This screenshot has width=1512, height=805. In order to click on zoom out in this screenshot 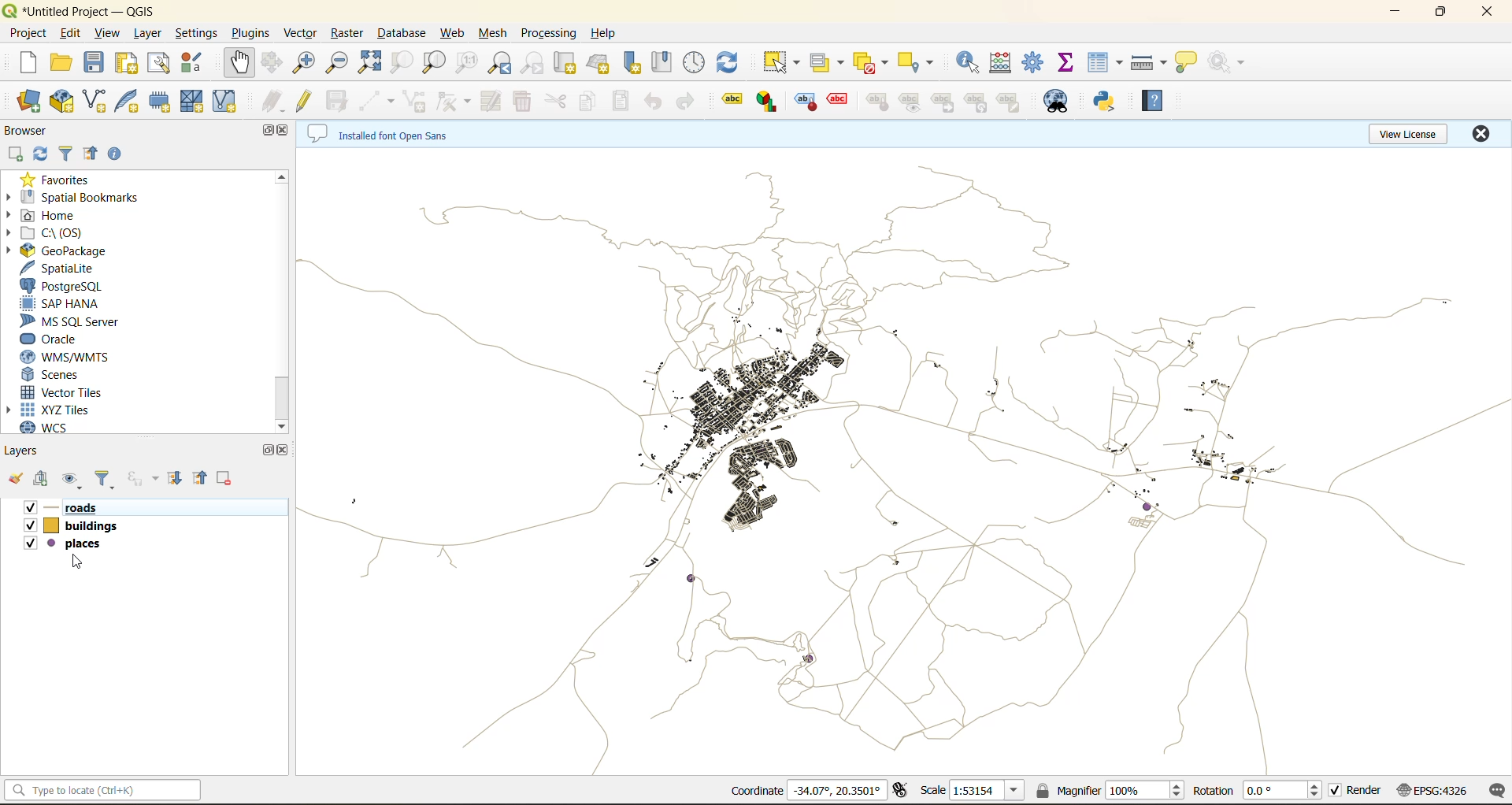, I will do `click(336, 65)`.